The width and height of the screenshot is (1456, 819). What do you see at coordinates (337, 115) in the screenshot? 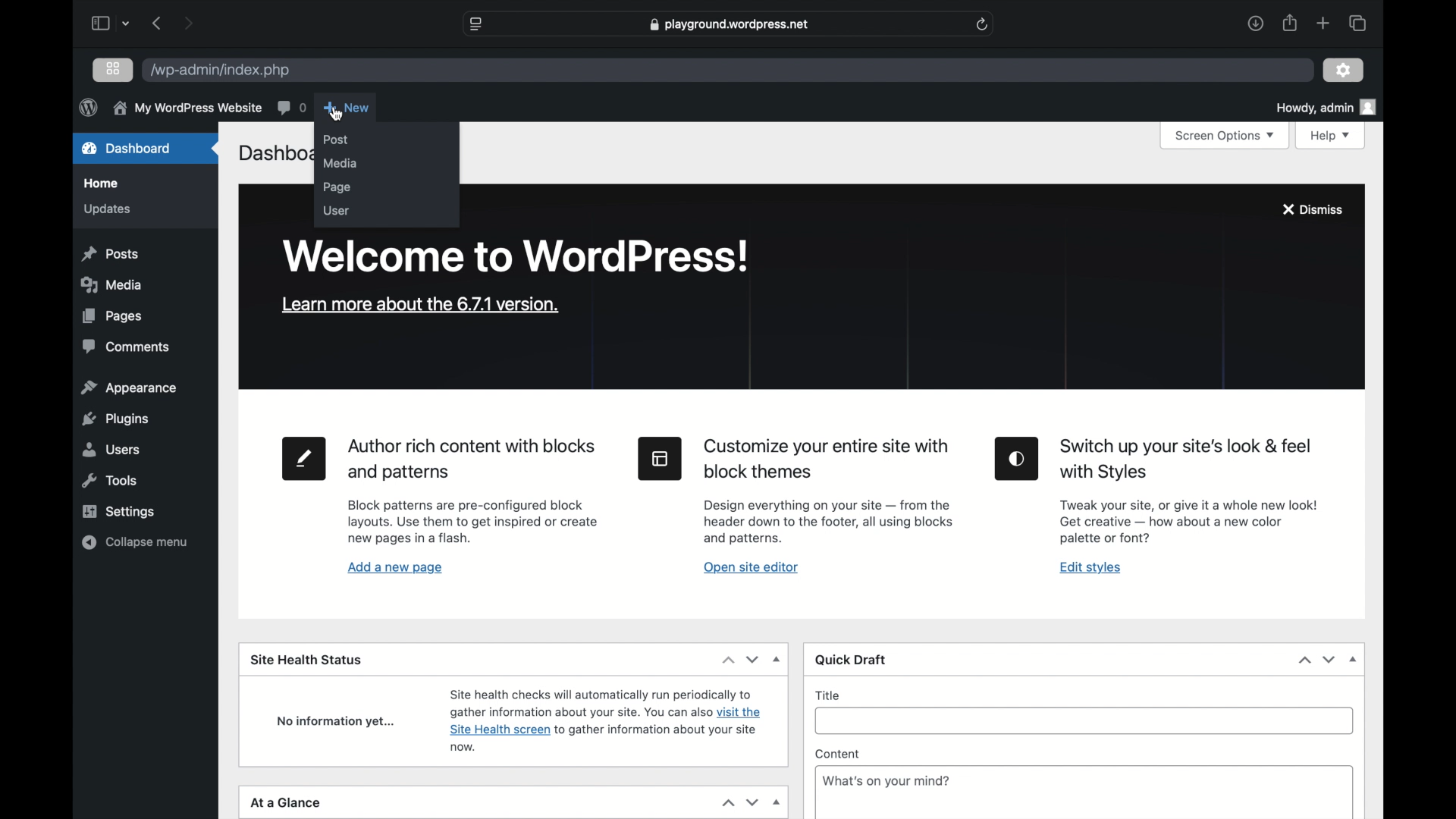
I see `cursor` at bounding box center [337, 115].